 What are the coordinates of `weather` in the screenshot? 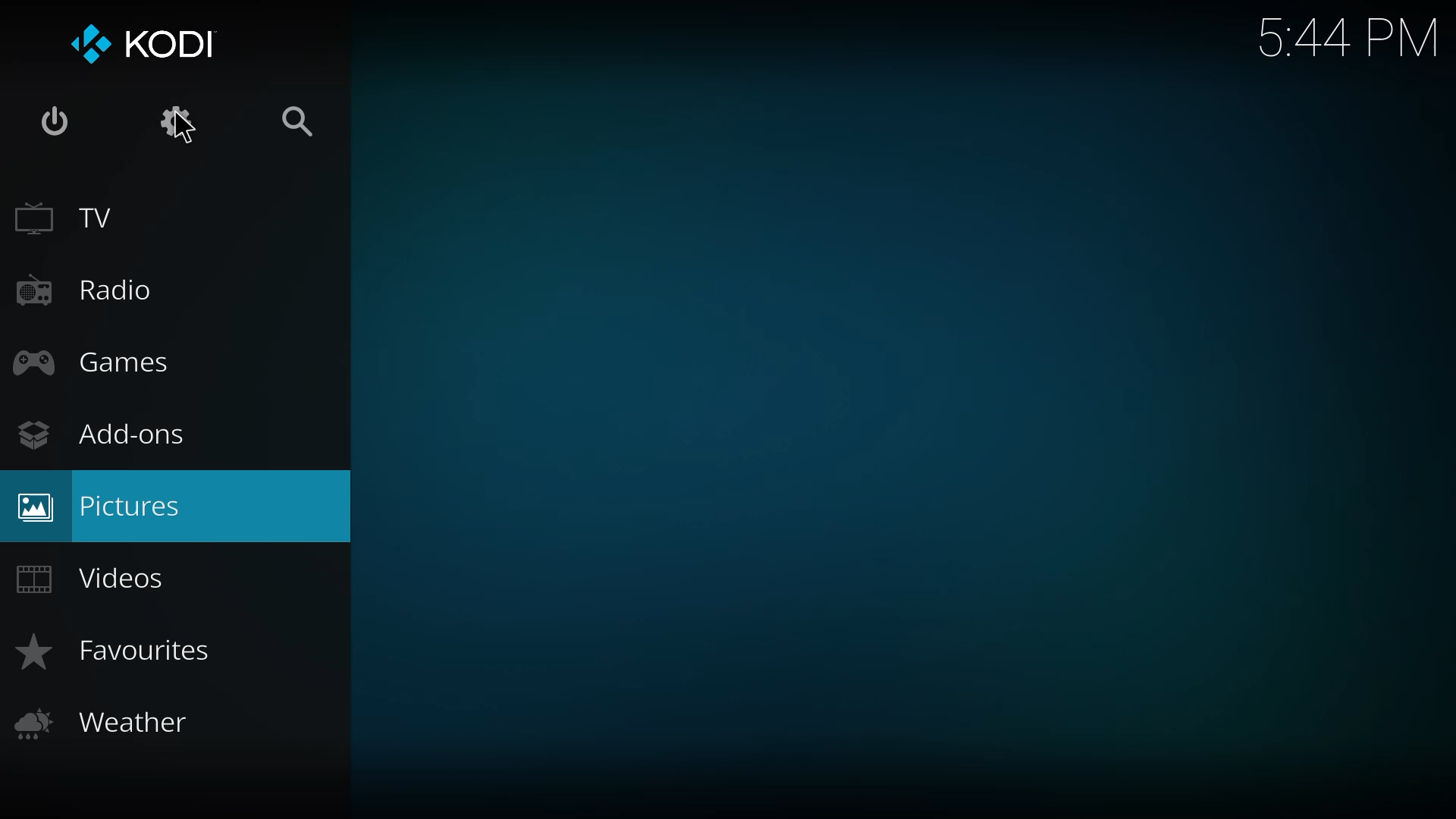 It's located at (112, 723).